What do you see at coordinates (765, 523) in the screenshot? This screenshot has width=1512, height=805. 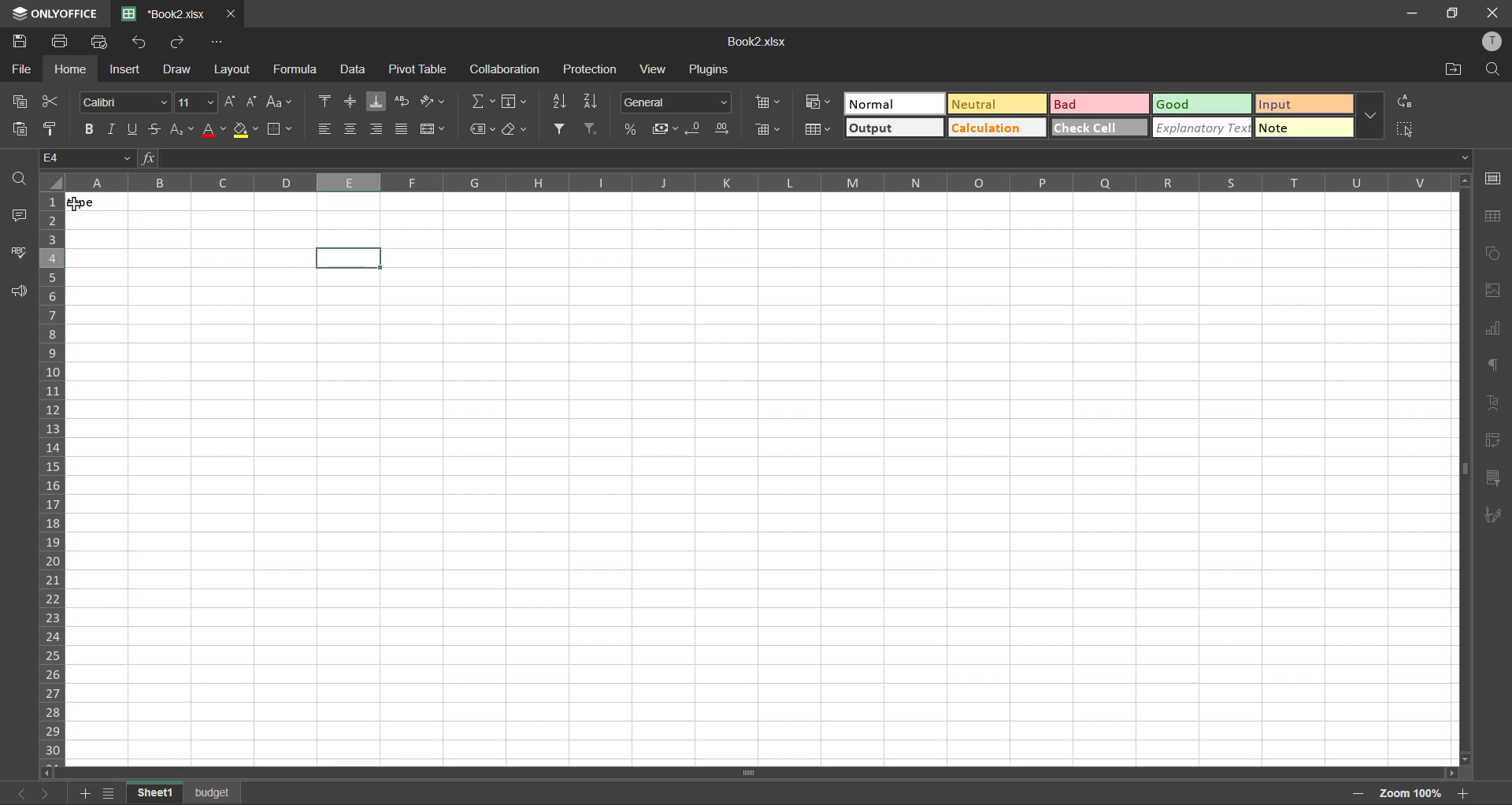 I see `cell input` at bounding box center [765, 523].